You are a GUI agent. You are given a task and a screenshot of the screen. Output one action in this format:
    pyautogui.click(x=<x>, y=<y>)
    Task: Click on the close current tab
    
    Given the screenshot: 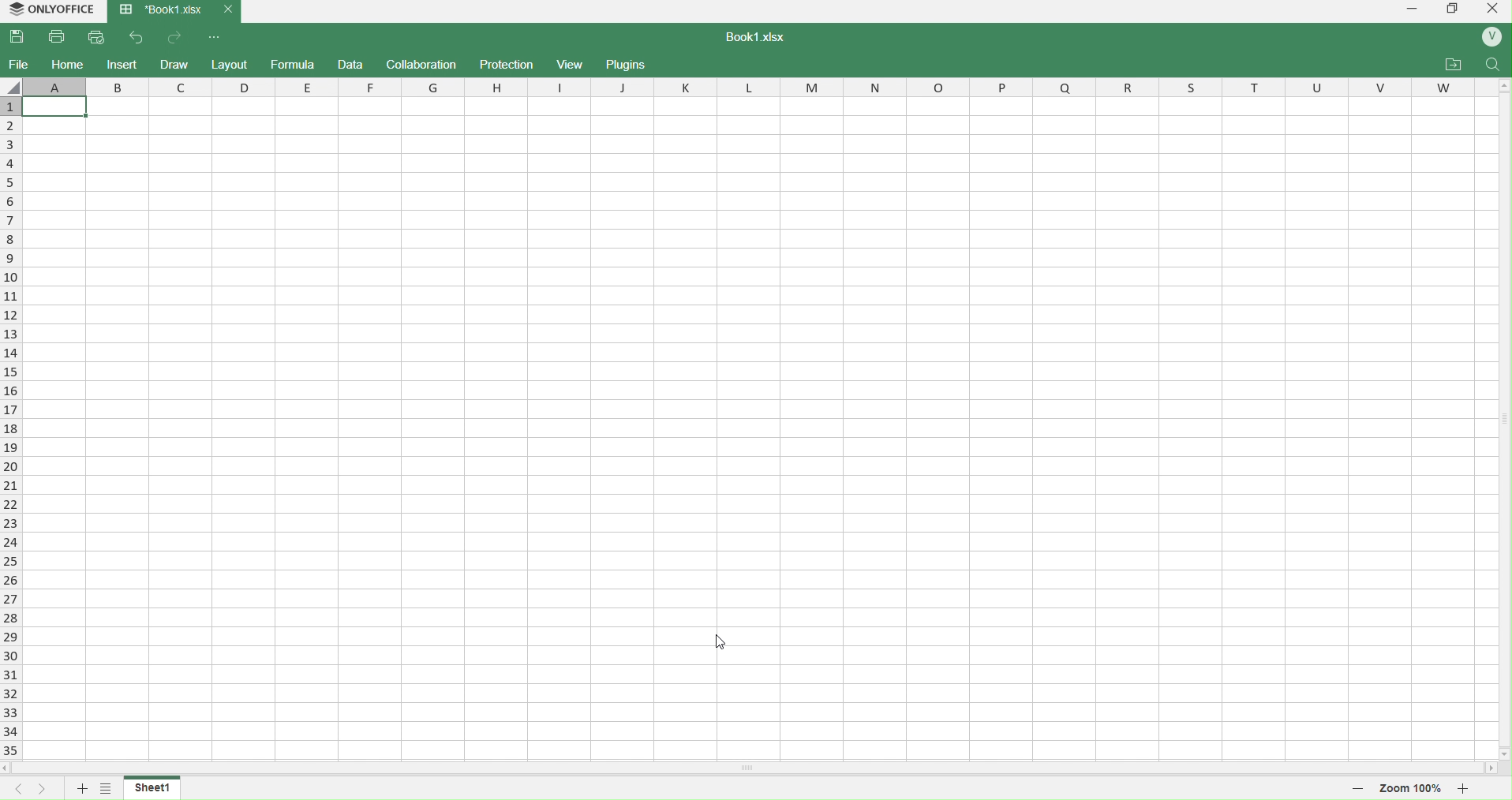 What is the action you would take?
    pyautogui.click(x=226, y=9)
    